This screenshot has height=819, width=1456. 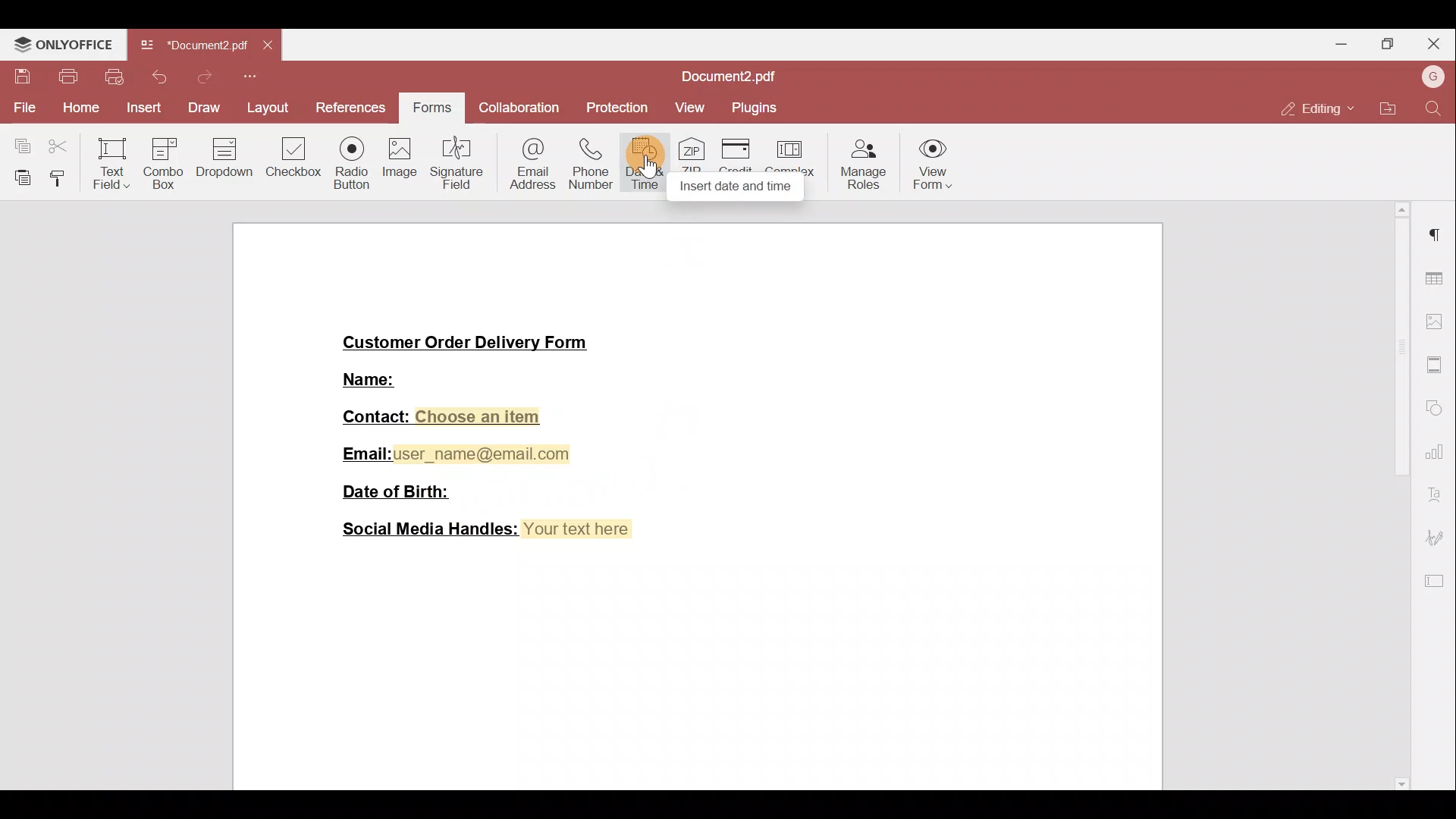 I want to click on Document2.pdf, so click(x=720, y=77).